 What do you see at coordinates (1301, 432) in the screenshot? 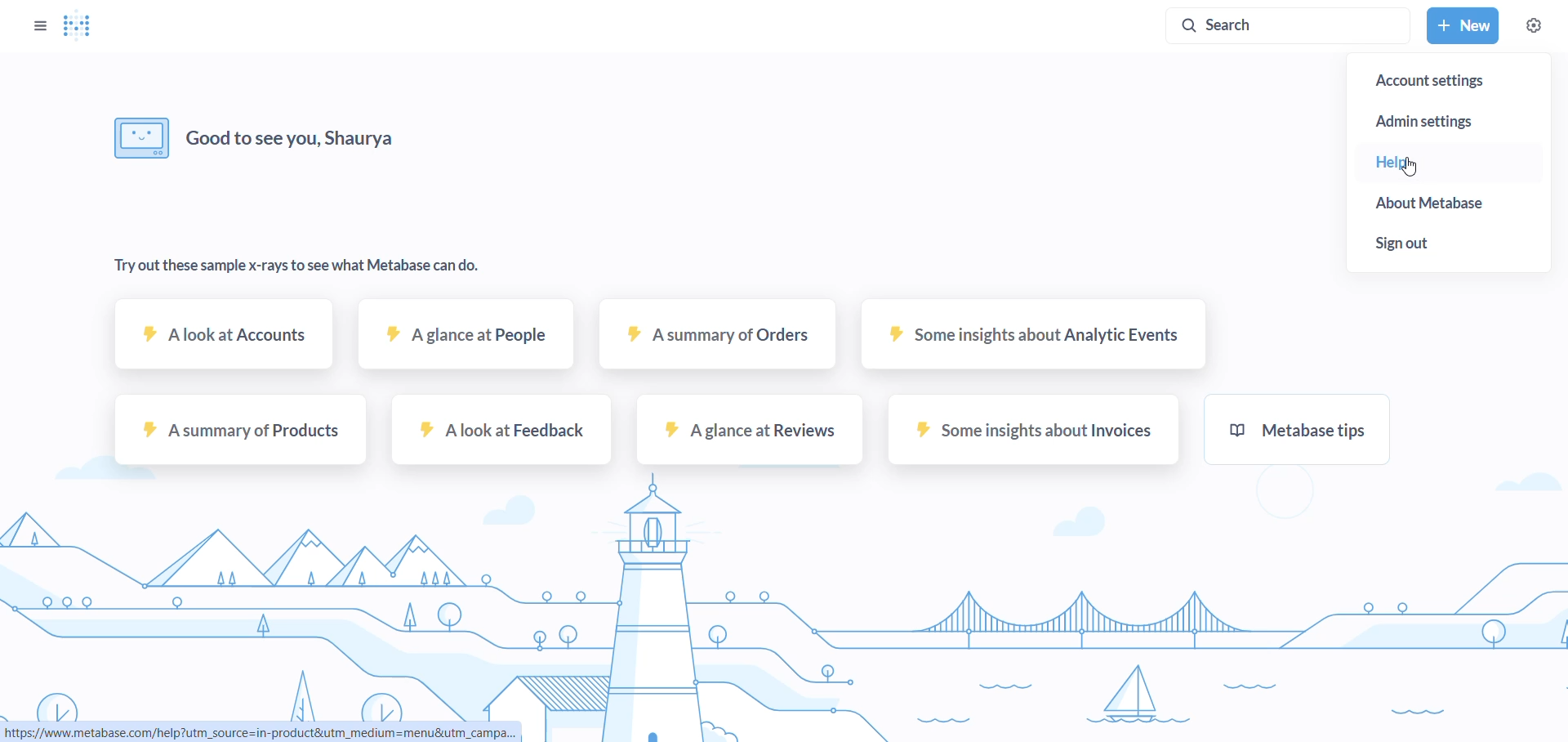
I see `metabase tips` at bounding box center [1301, 432].